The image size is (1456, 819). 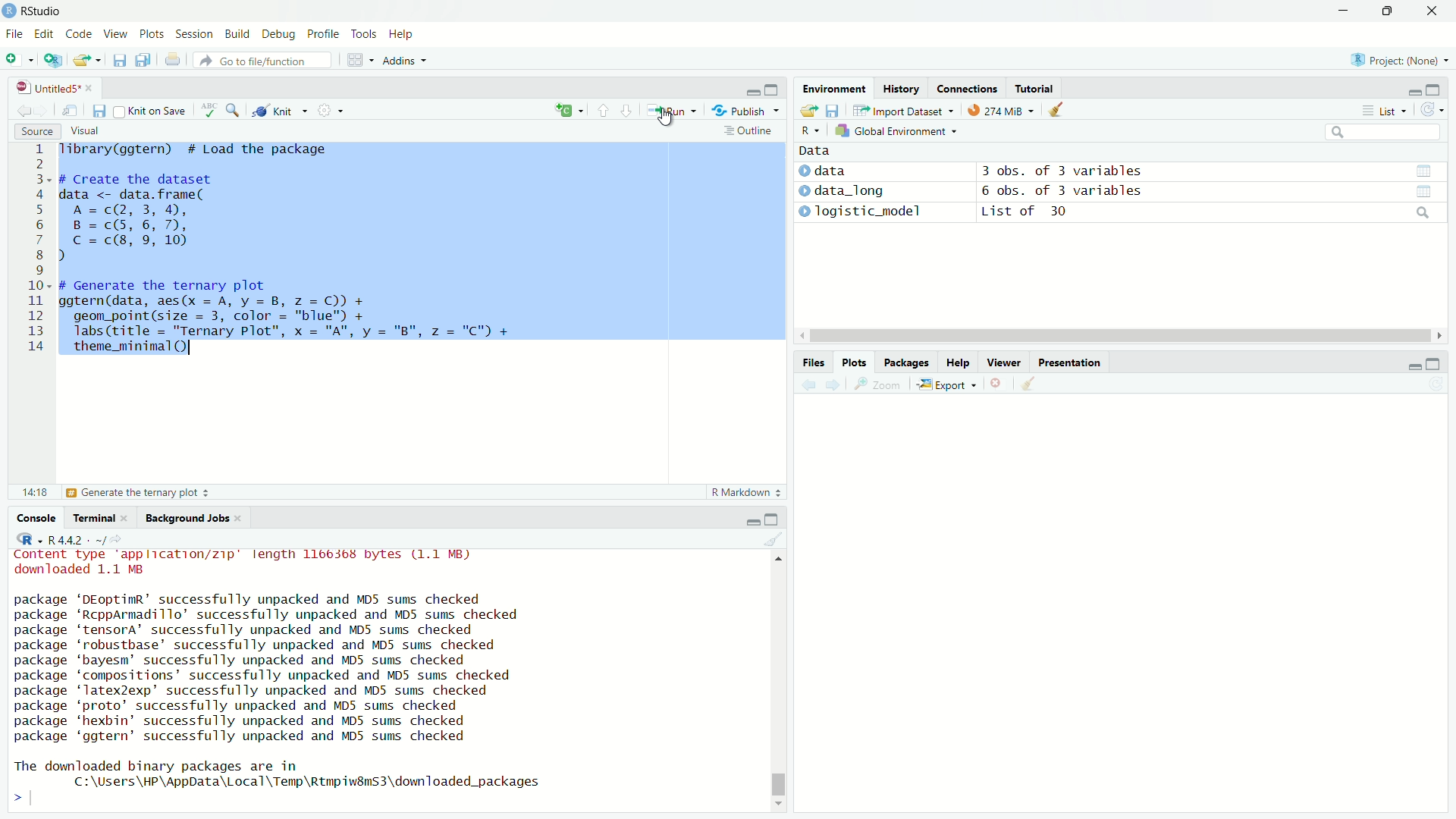 What do you see at coordinates (805, 360) in the screenshot?
I see `Files` at bounding box center [805, 360].